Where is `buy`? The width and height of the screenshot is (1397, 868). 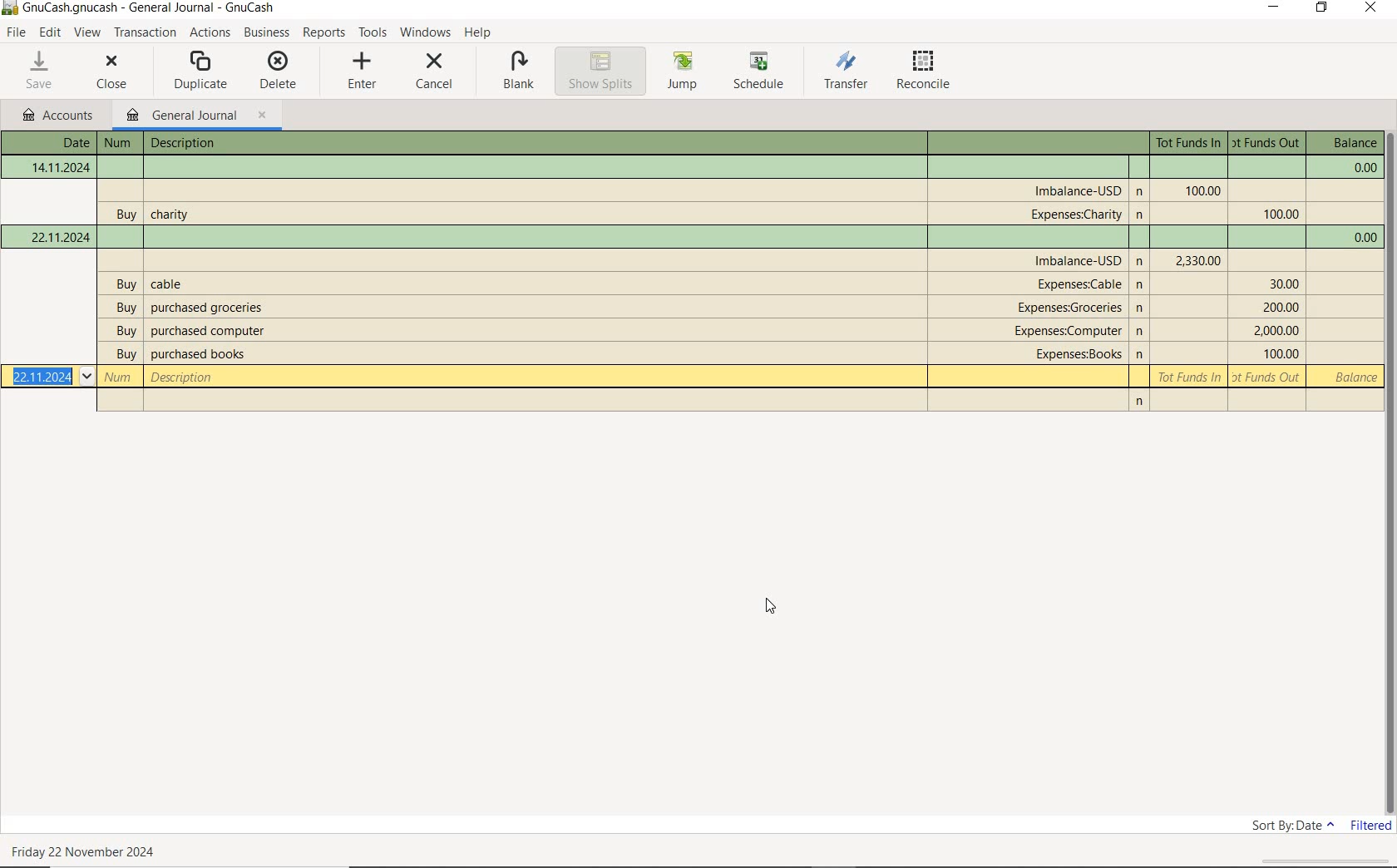 buy is located at coordinates (127, 286).